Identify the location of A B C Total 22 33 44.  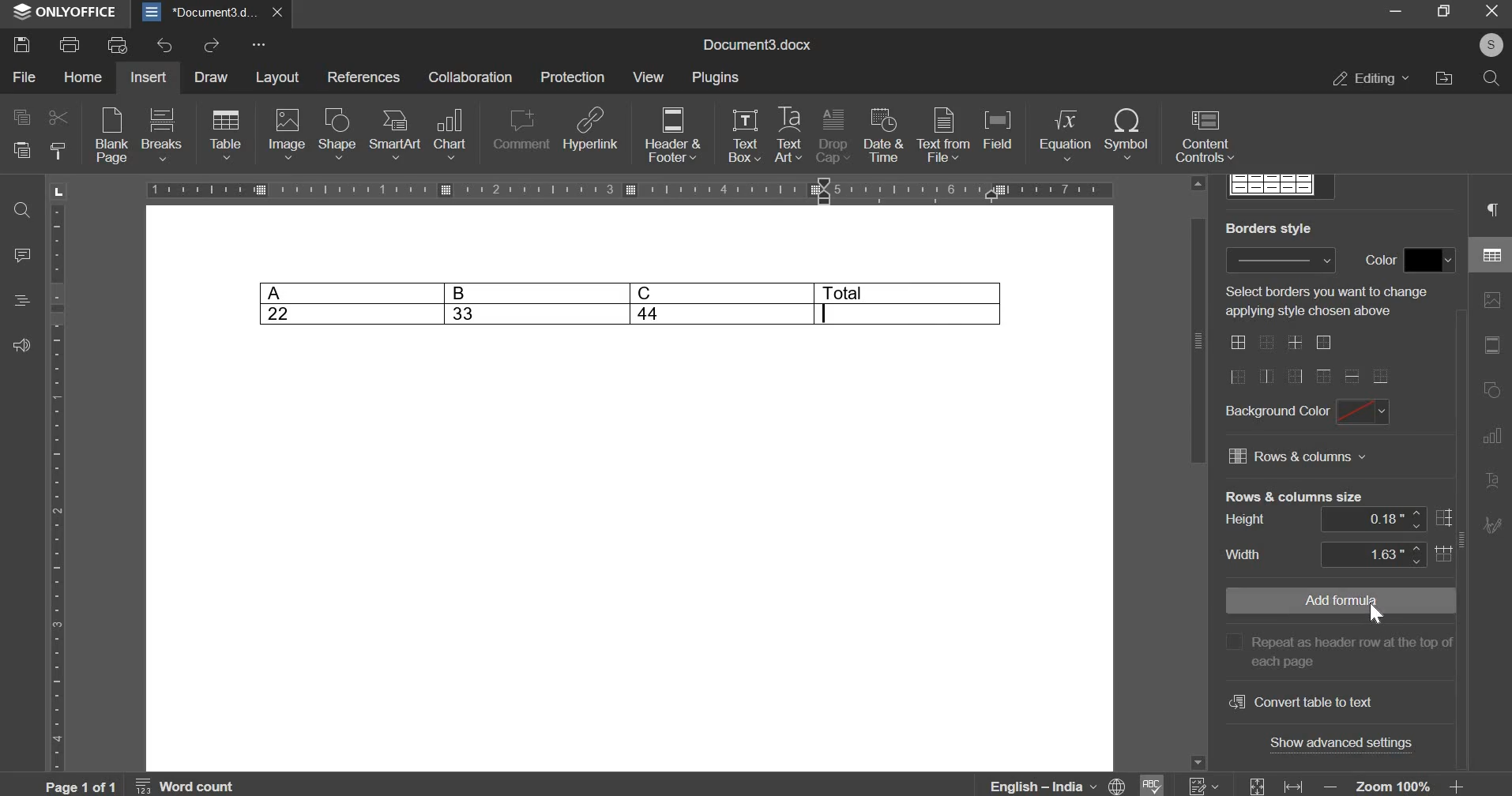
(631, 302).